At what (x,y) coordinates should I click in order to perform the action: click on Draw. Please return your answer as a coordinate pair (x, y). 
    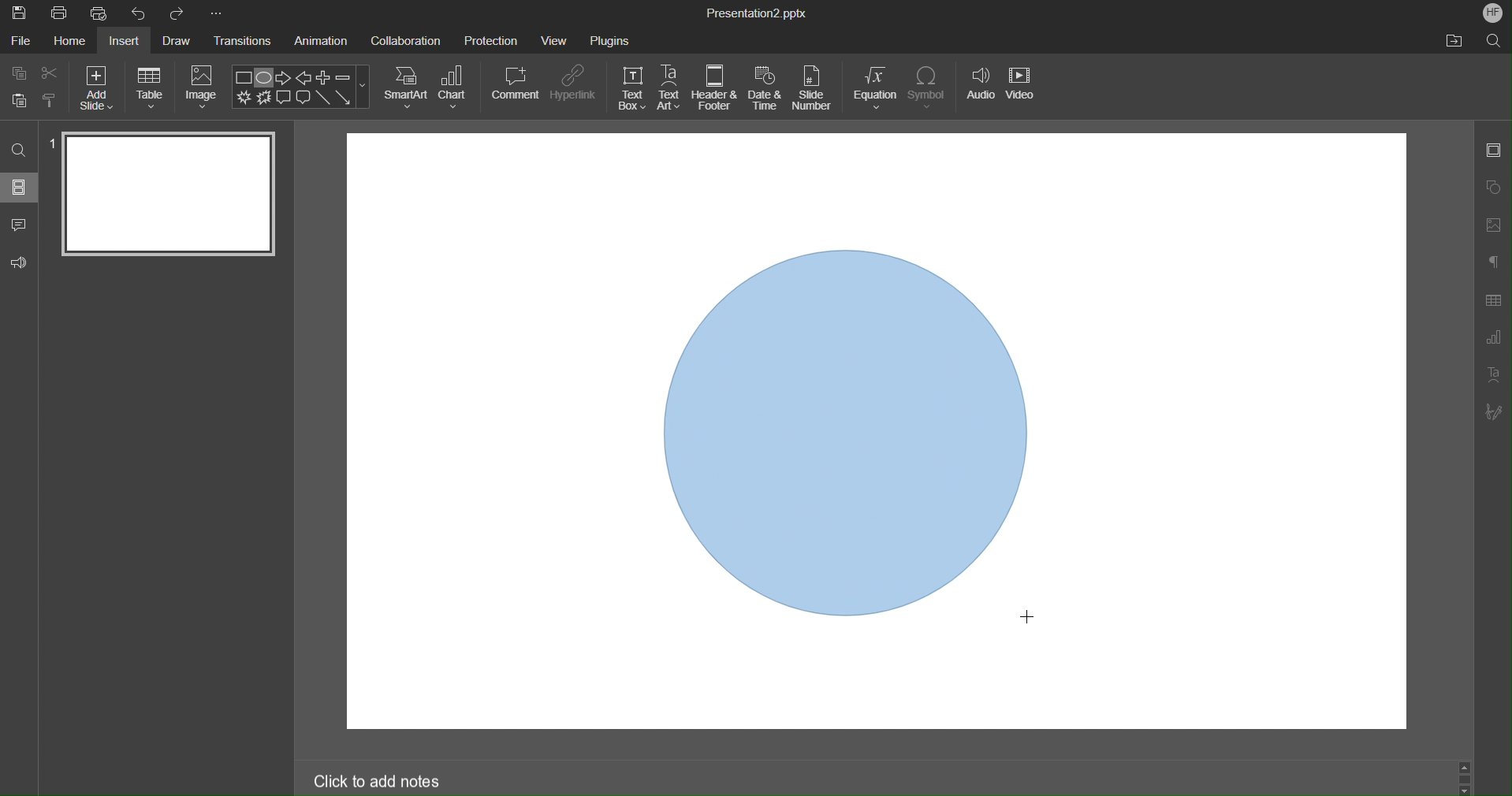
    Looking at the image, I should click on (180, 41).